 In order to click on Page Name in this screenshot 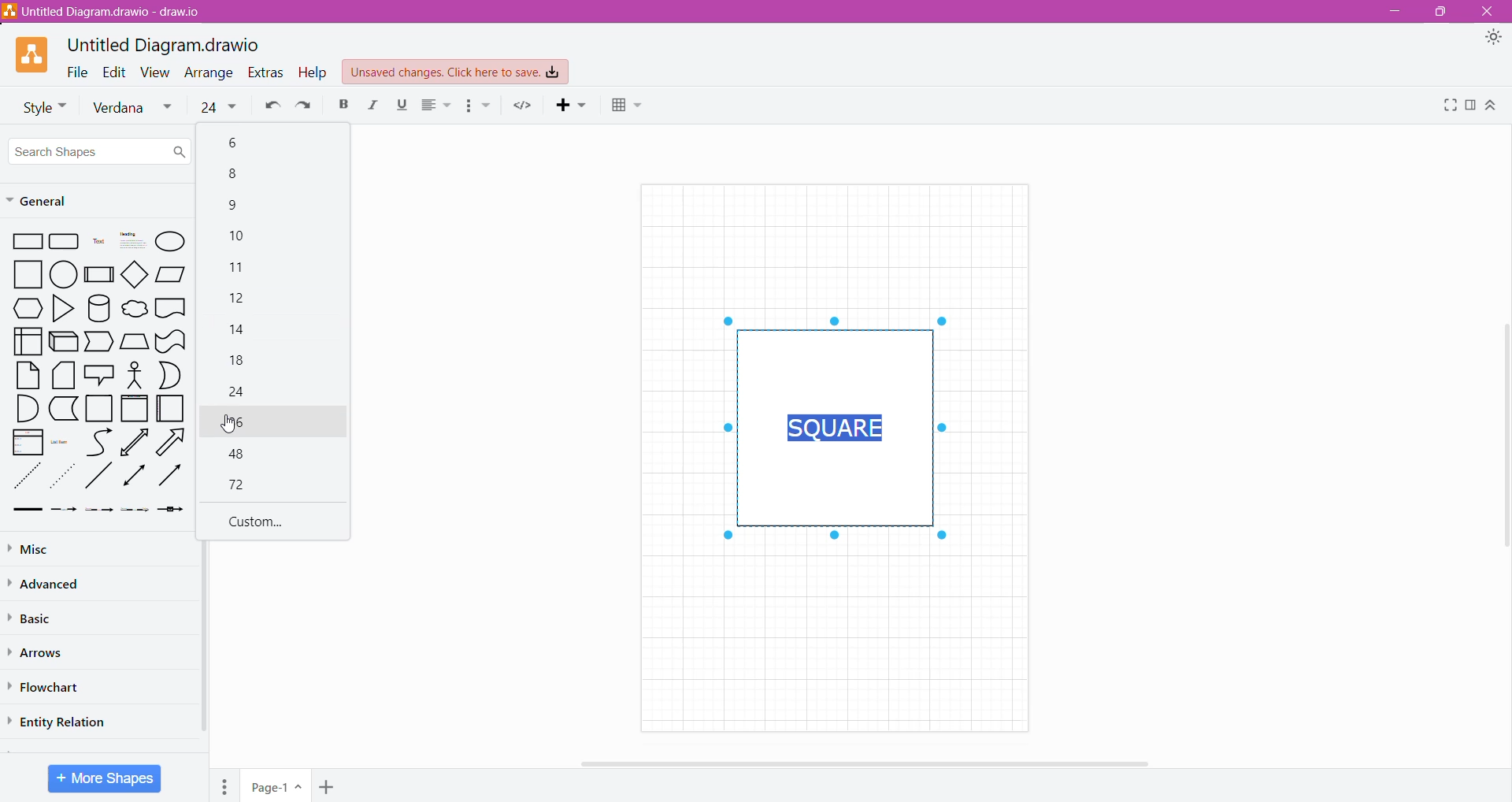, I will do `click(275, 788)`.